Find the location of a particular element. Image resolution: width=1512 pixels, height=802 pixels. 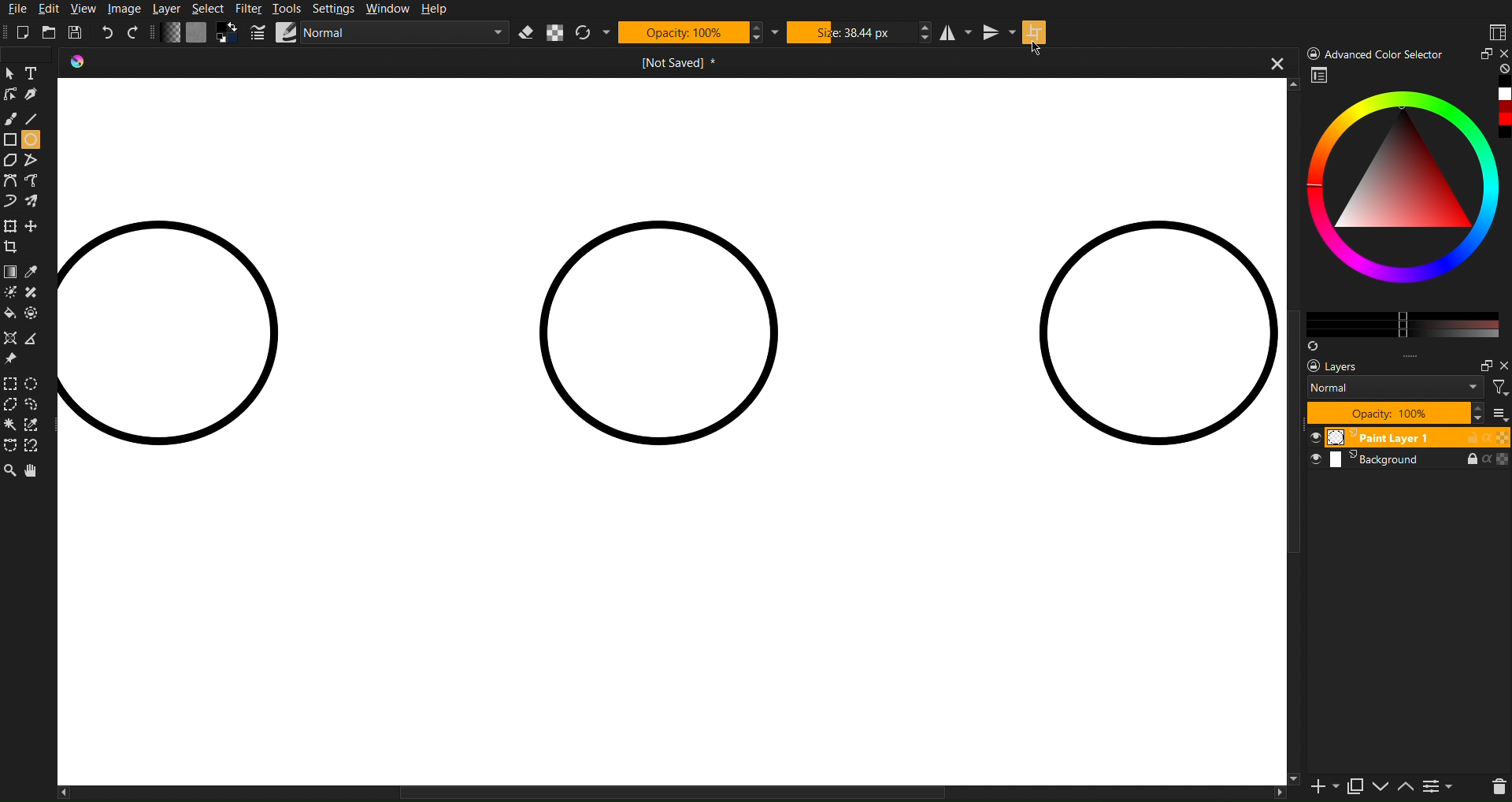

new is located at coordinates (1321, 789).